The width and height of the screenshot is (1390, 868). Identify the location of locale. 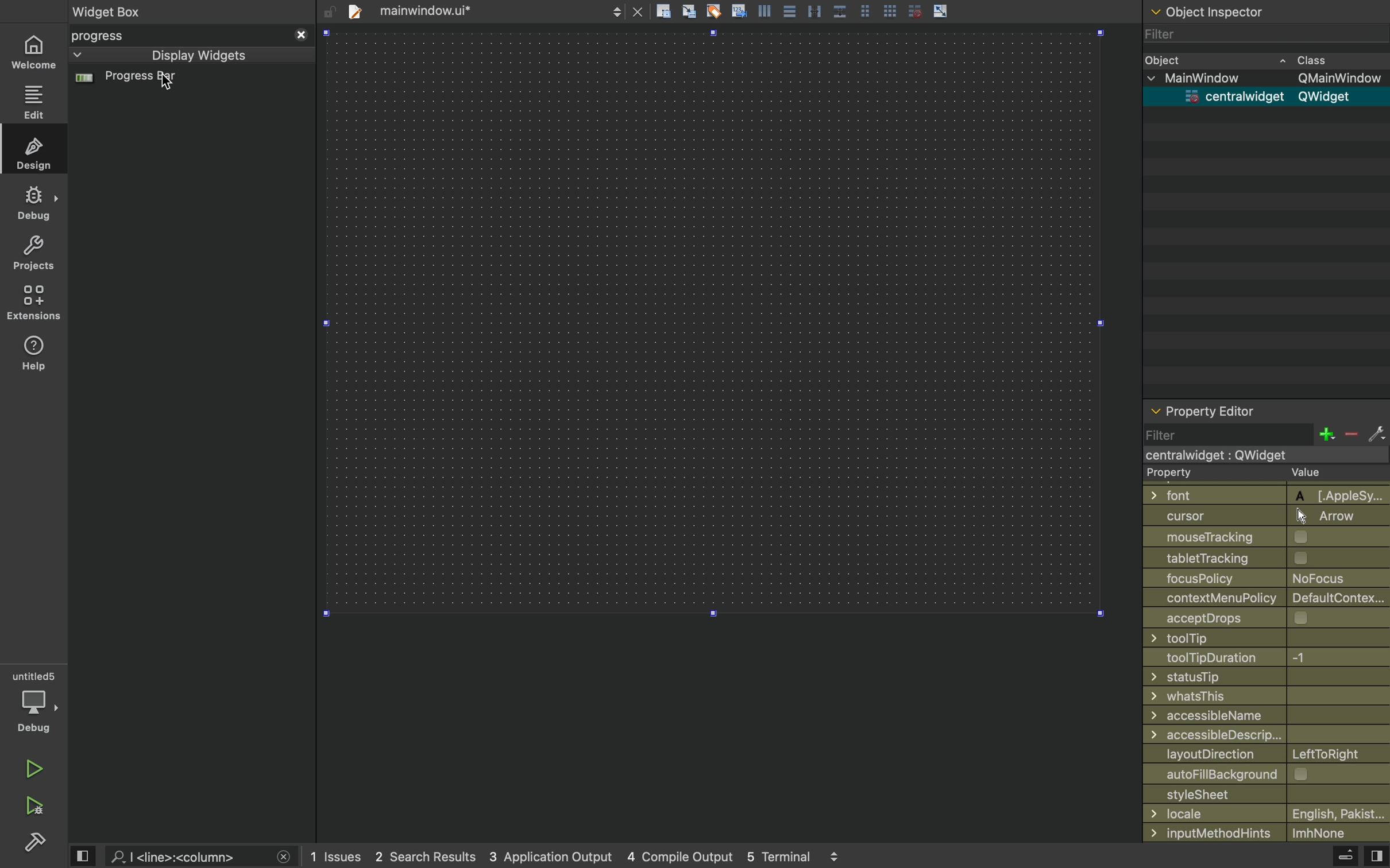
(1267, 813).